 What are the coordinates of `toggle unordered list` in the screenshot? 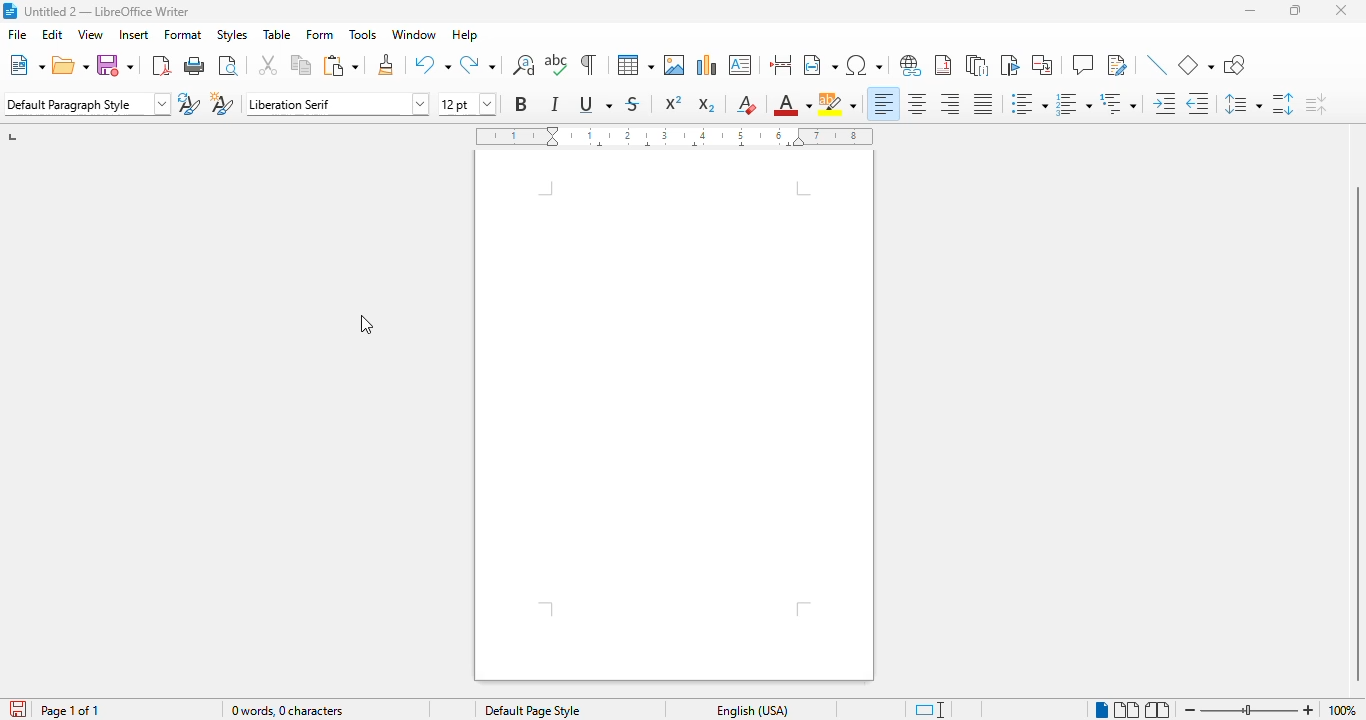 It's located at (1029, 103).